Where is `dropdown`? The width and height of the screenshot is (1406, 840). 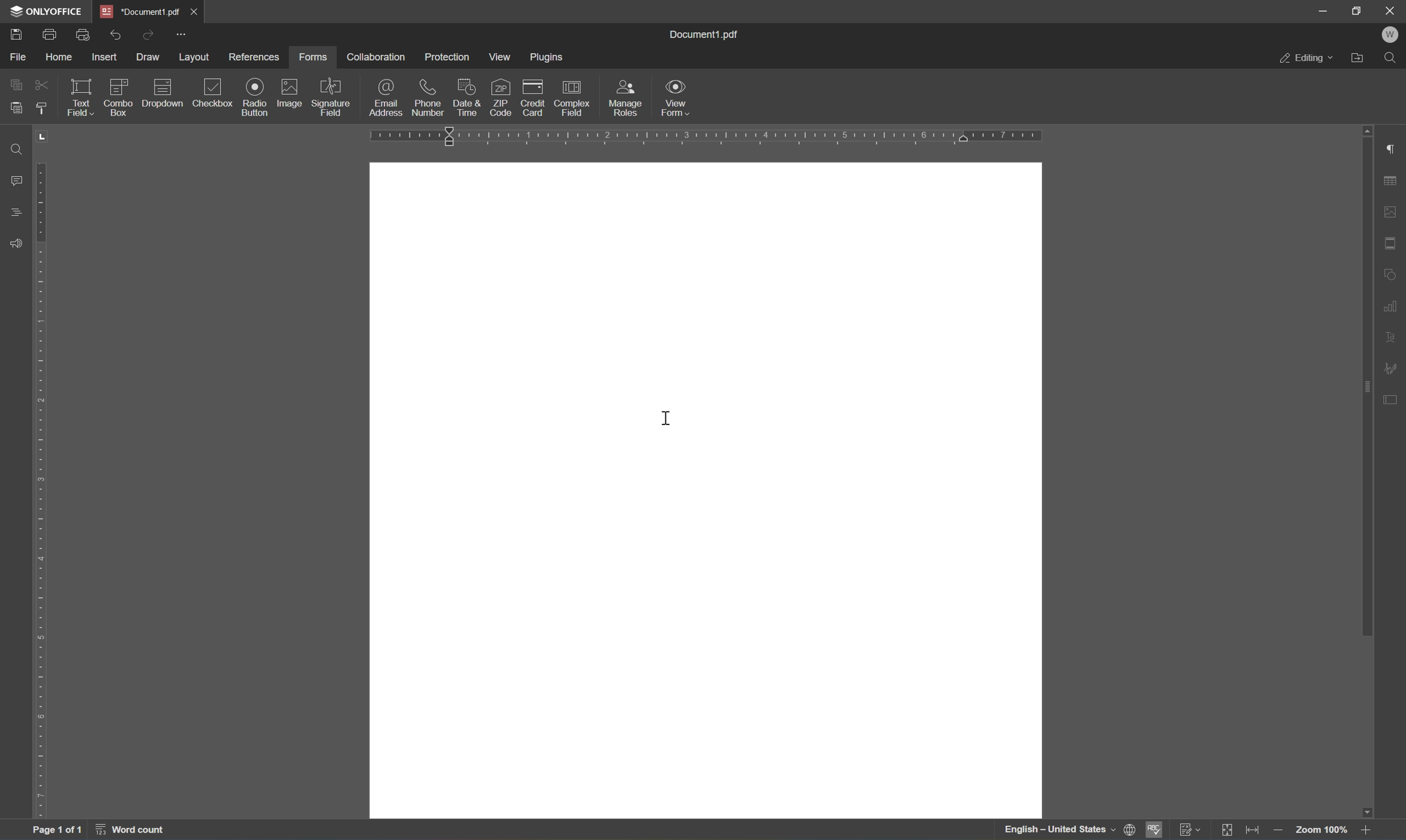 dropdown is located at coordinates (163, 96).